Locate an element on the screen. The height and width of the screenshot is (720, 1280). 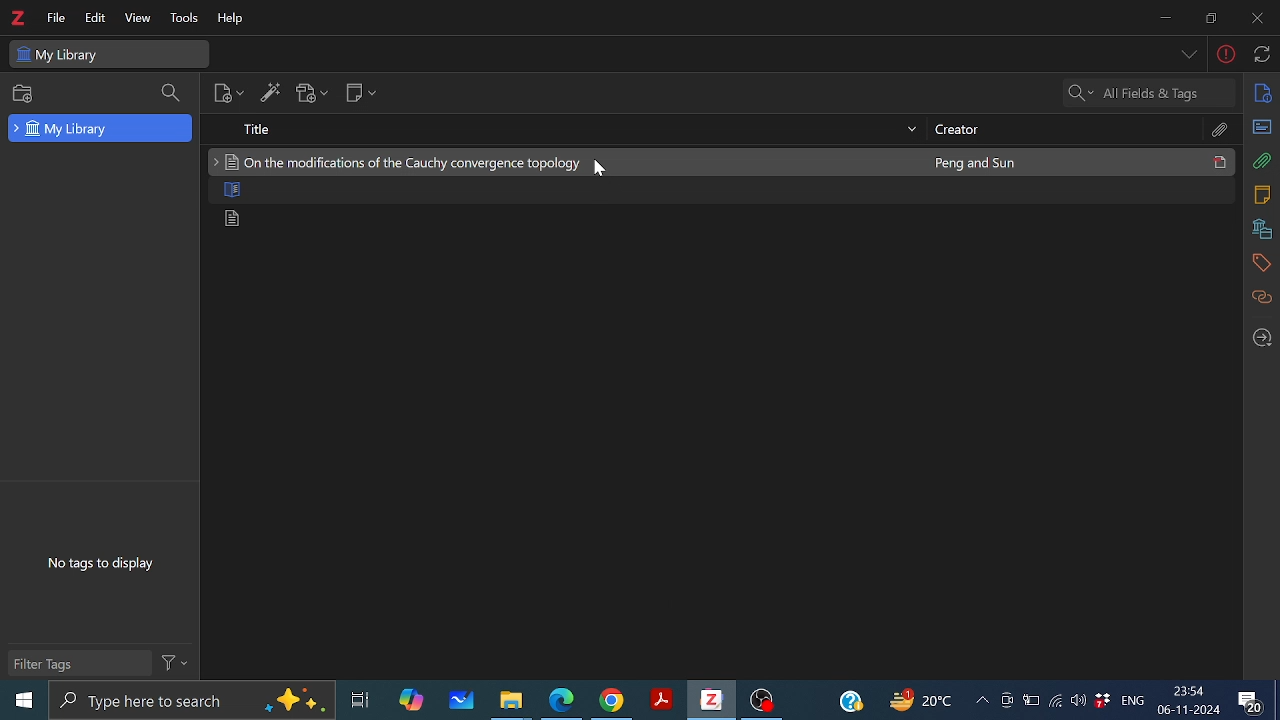
Start is located at coordinates (19, 701).